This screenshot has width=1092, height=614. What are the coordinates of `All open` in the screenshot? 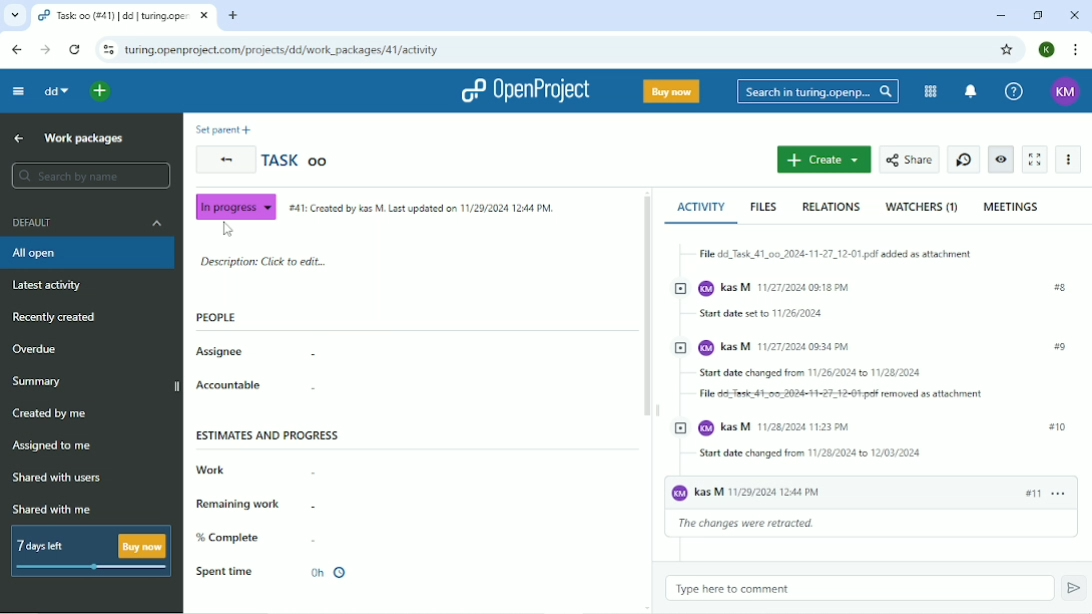 It's located at (89, 253).